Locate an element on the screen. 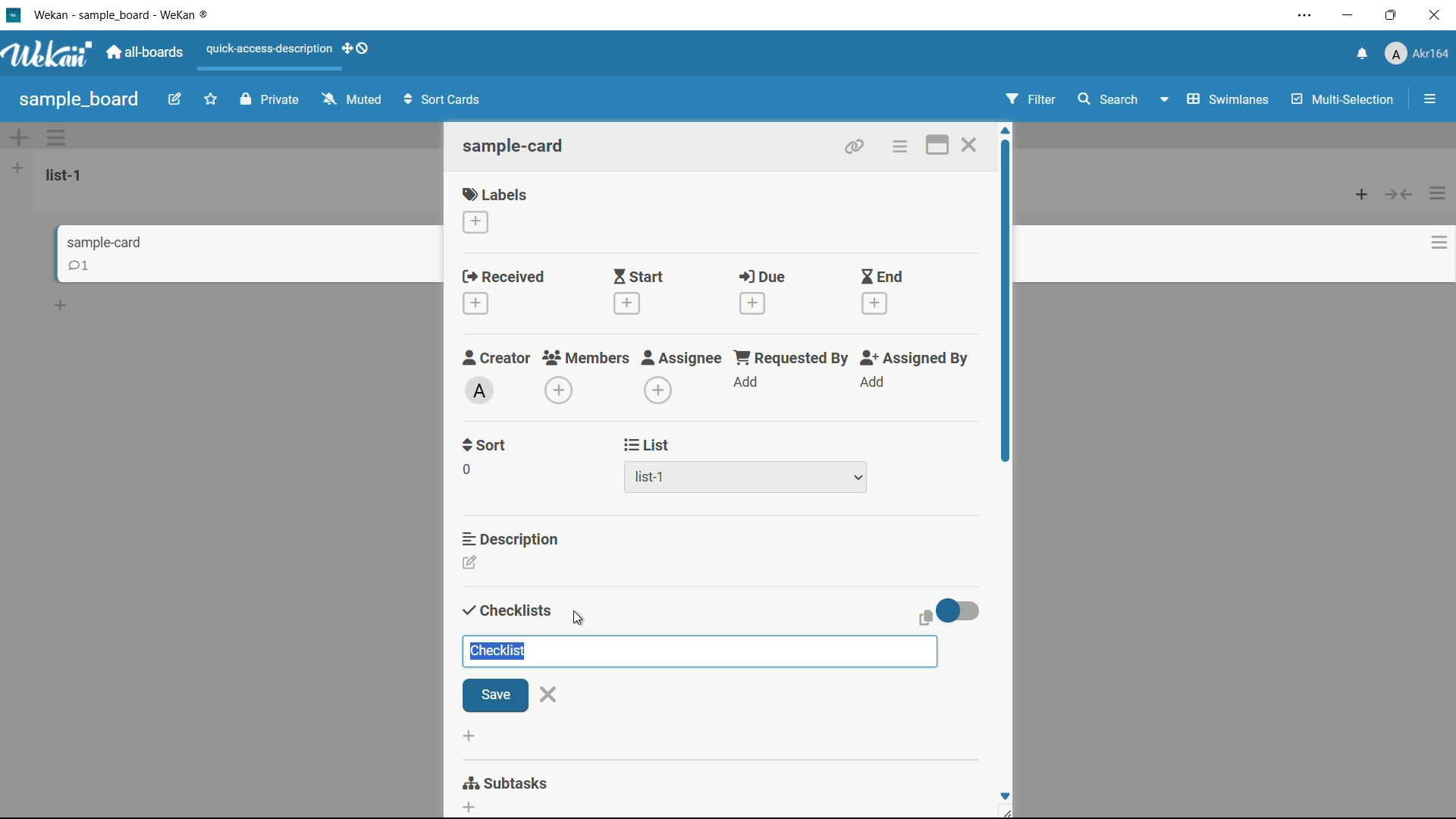 This screenshot has height=819, width=1456. add date is located at coordinates (627, 303).